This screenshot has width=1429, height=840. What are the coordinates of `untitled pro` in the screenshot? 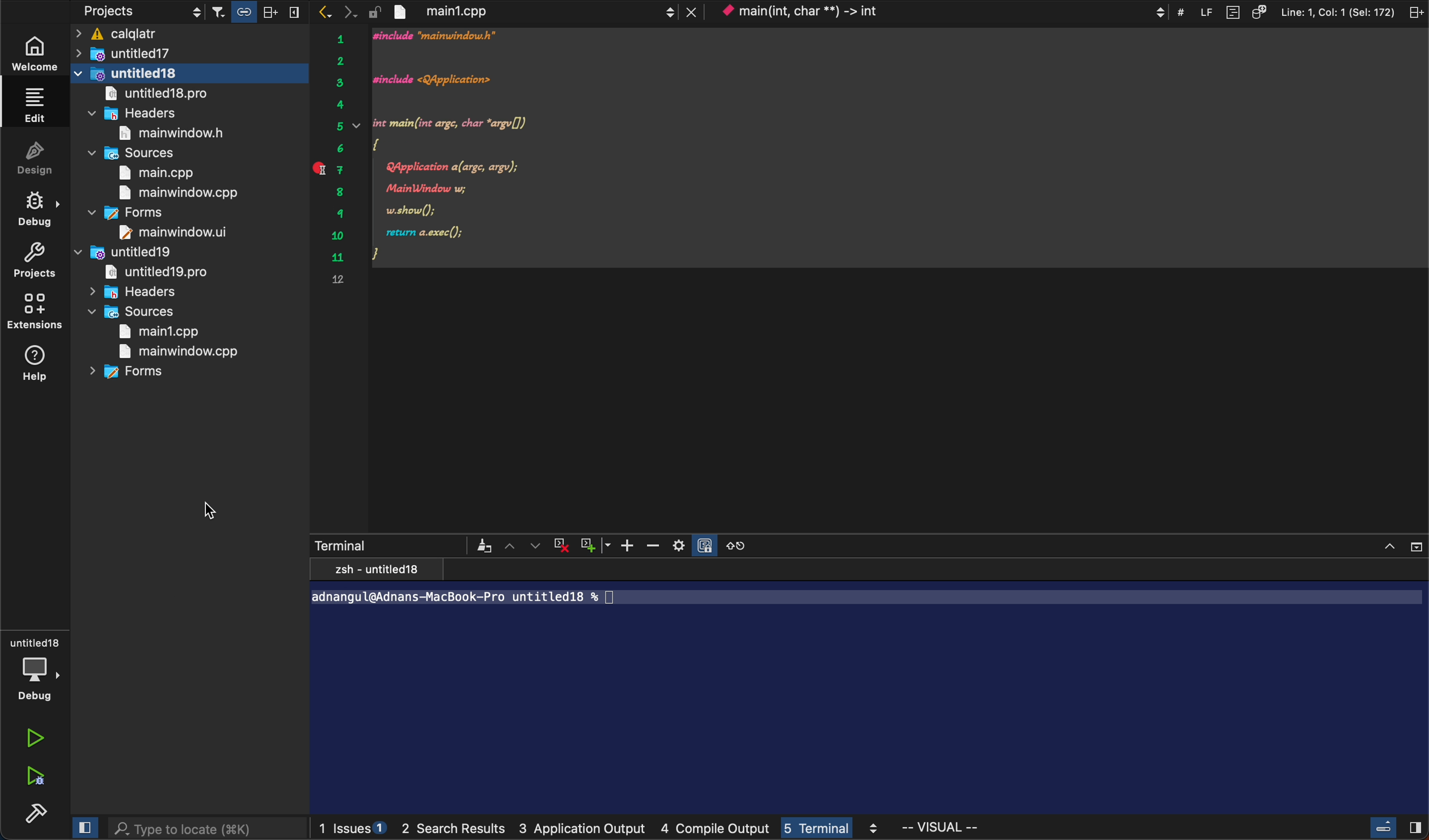 It's located at (158, 271).